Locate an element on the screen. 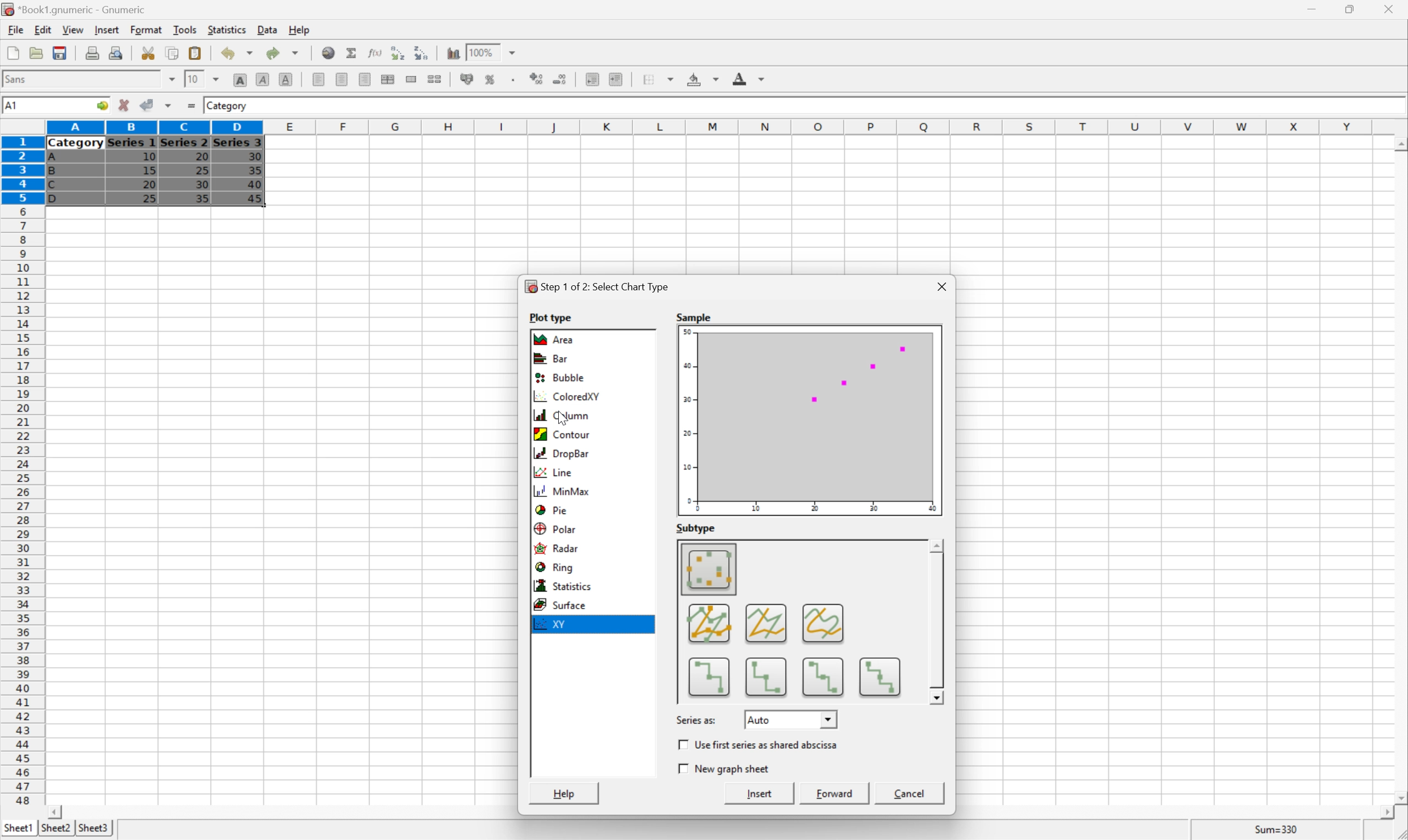 The height and width of the screenshot is (840, 1408). Statistics is located at coordinates (565, 586).